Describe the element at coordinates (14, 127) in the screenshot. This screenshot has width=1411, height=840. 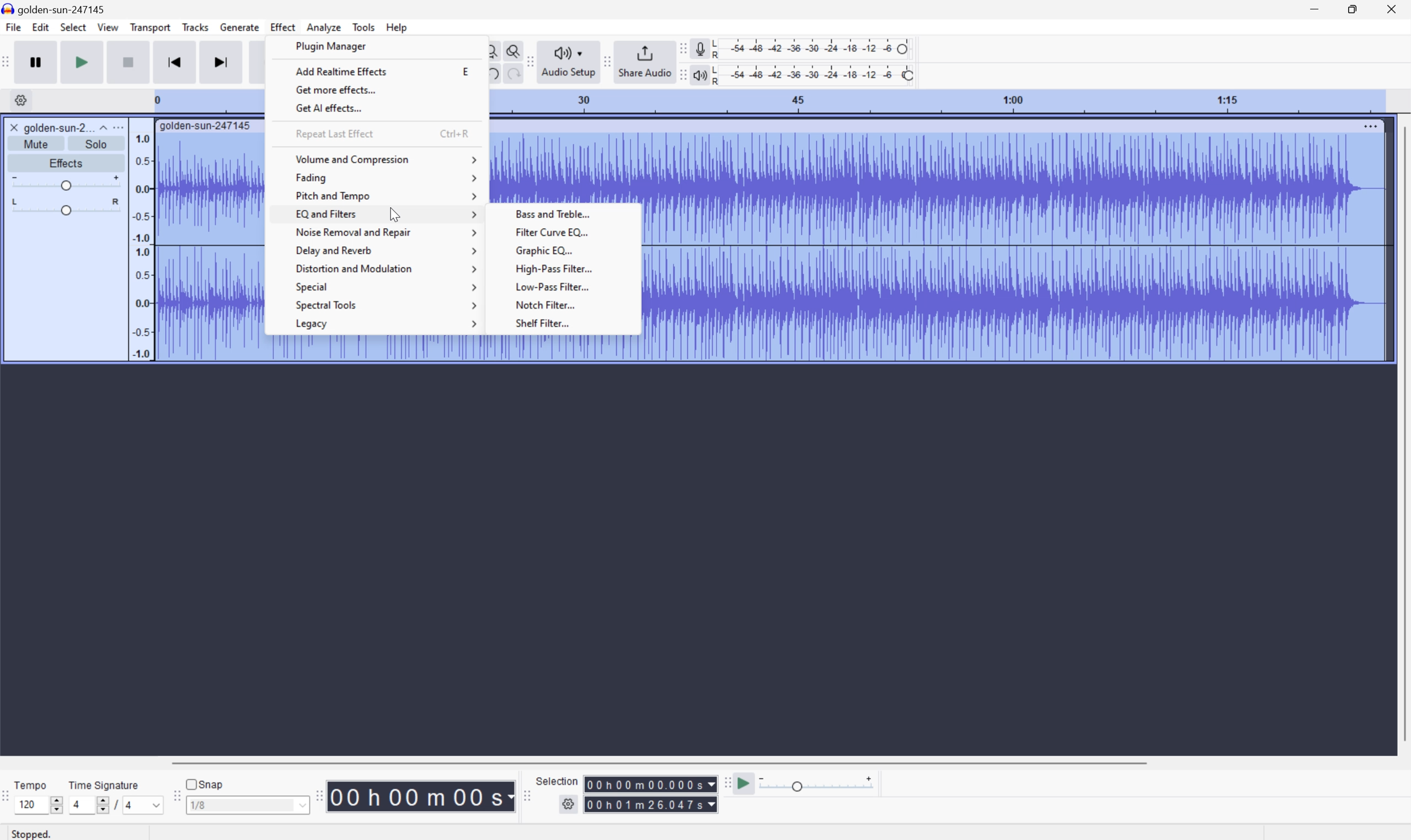
I see `Close` at that location.